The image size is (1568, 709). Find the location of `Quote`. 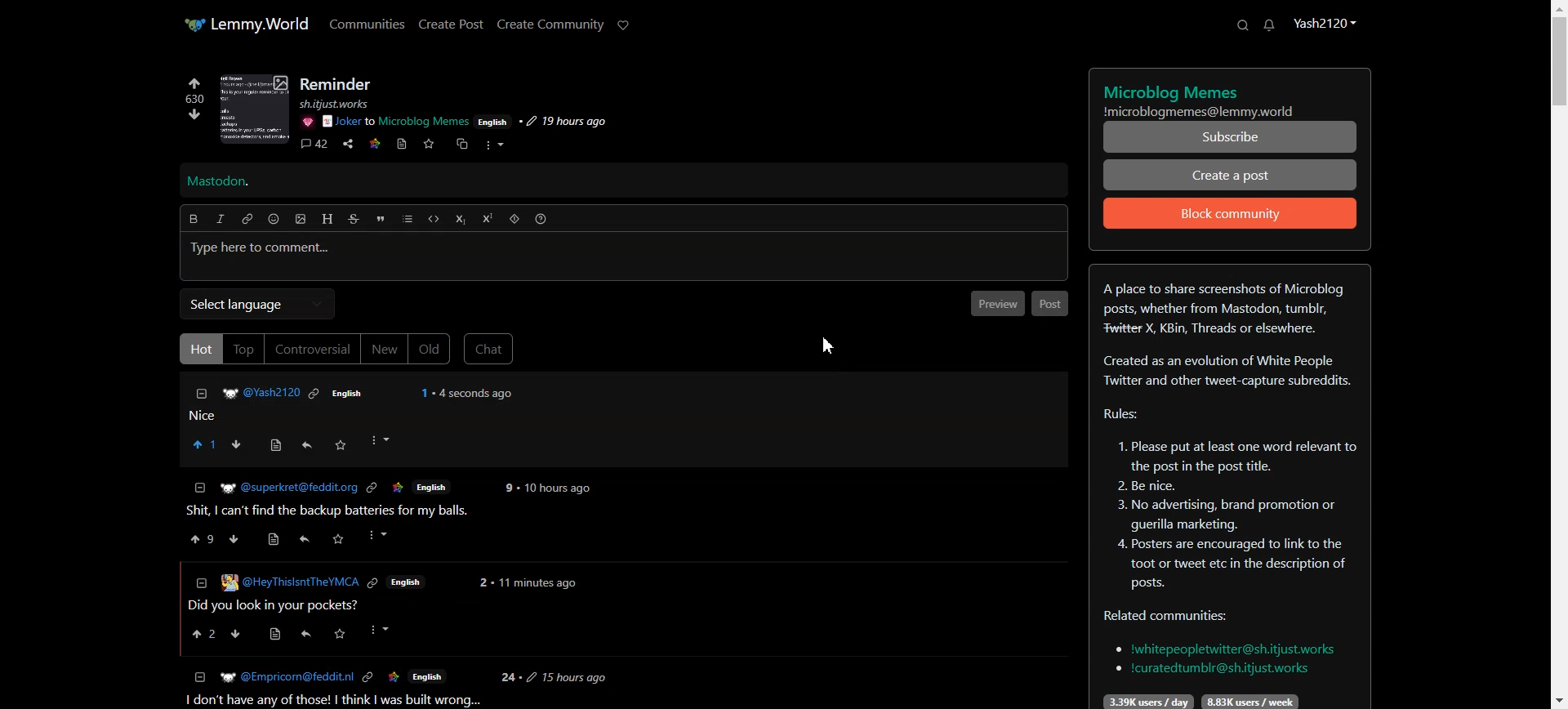

Quote is located at coordinates (380, 219).